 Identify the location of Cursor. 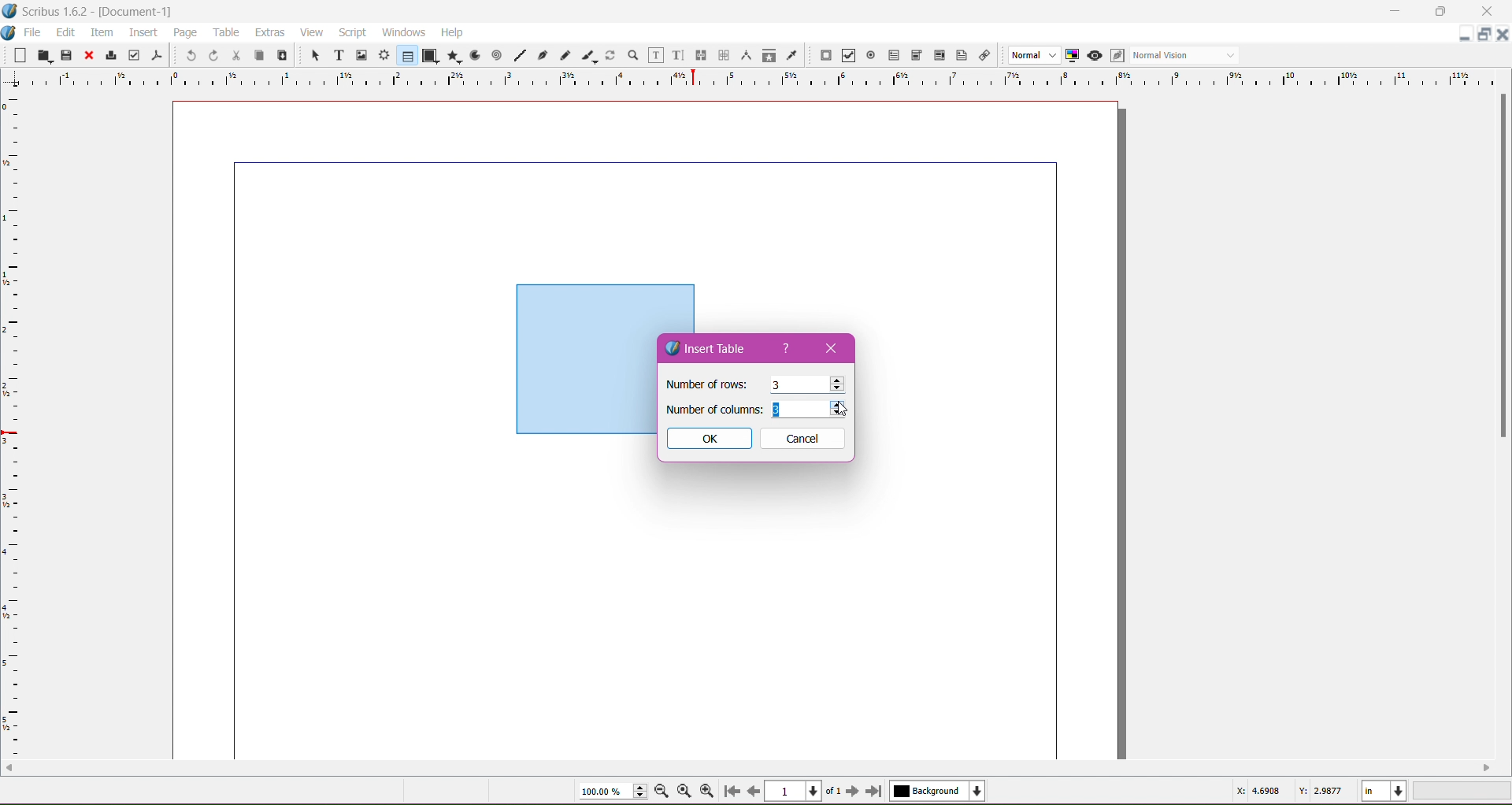
(840, 411).